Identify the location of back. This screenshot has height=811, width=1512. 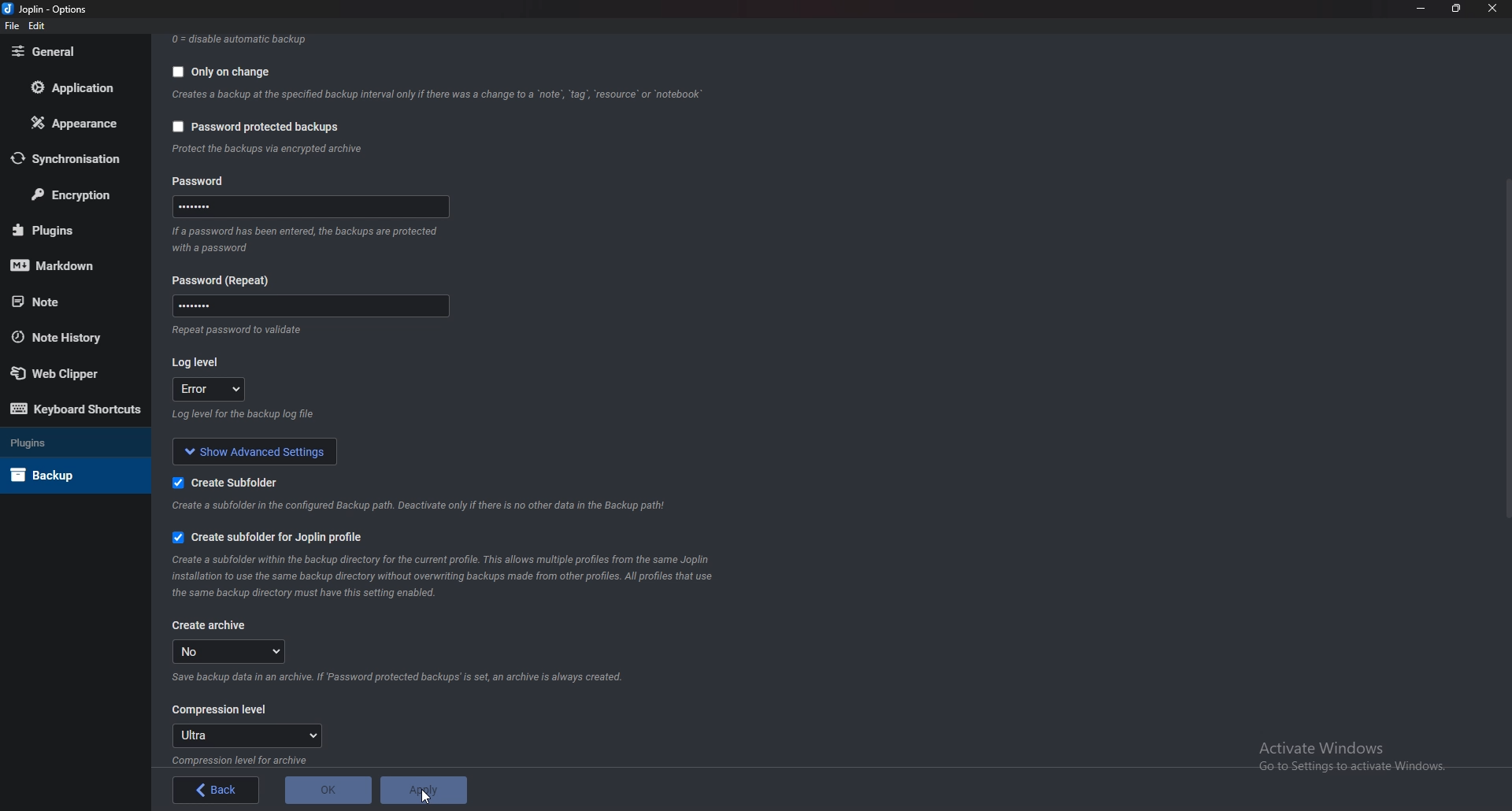
(214, 791).